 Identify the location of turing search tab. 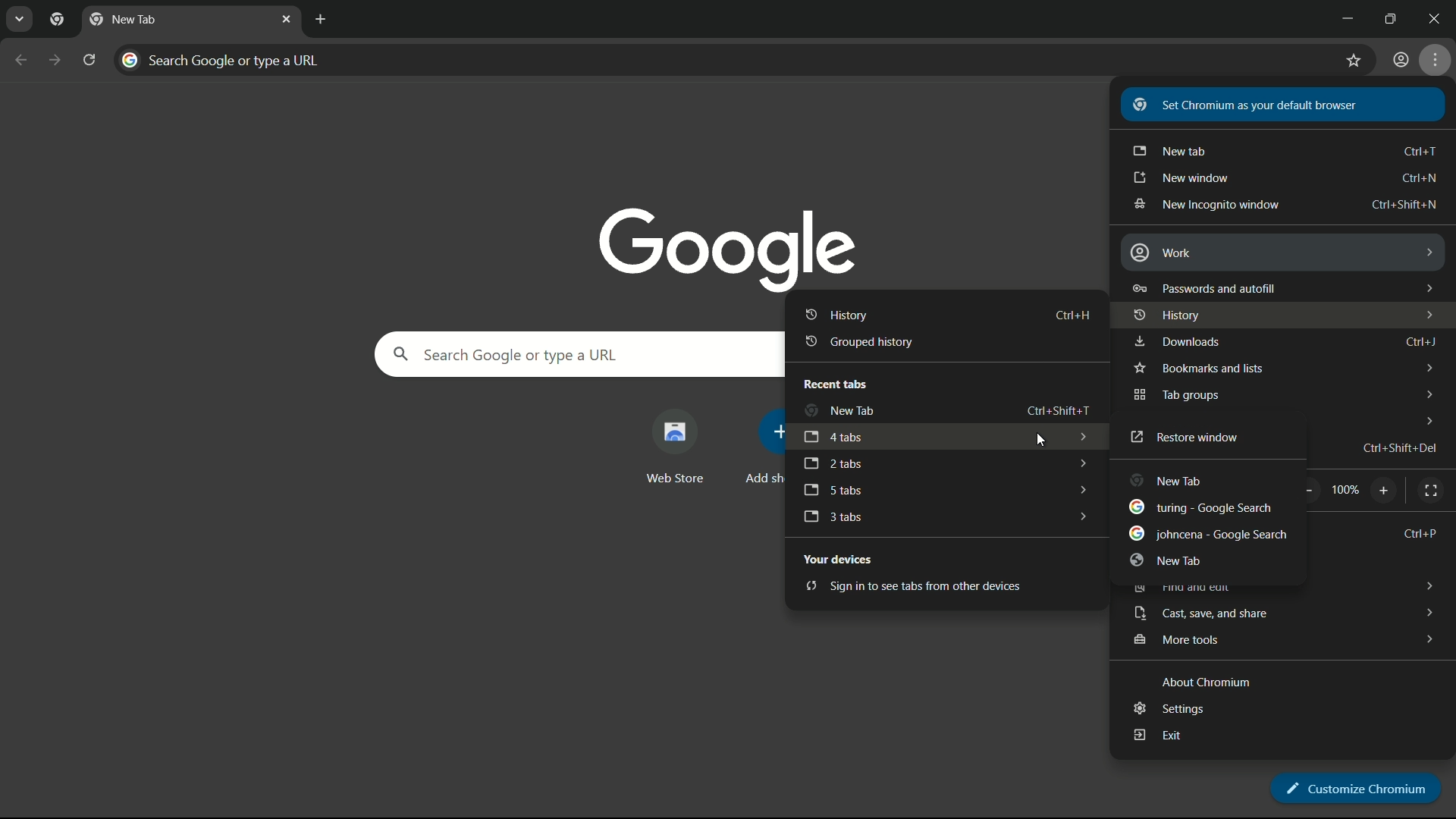
(1195, 506).